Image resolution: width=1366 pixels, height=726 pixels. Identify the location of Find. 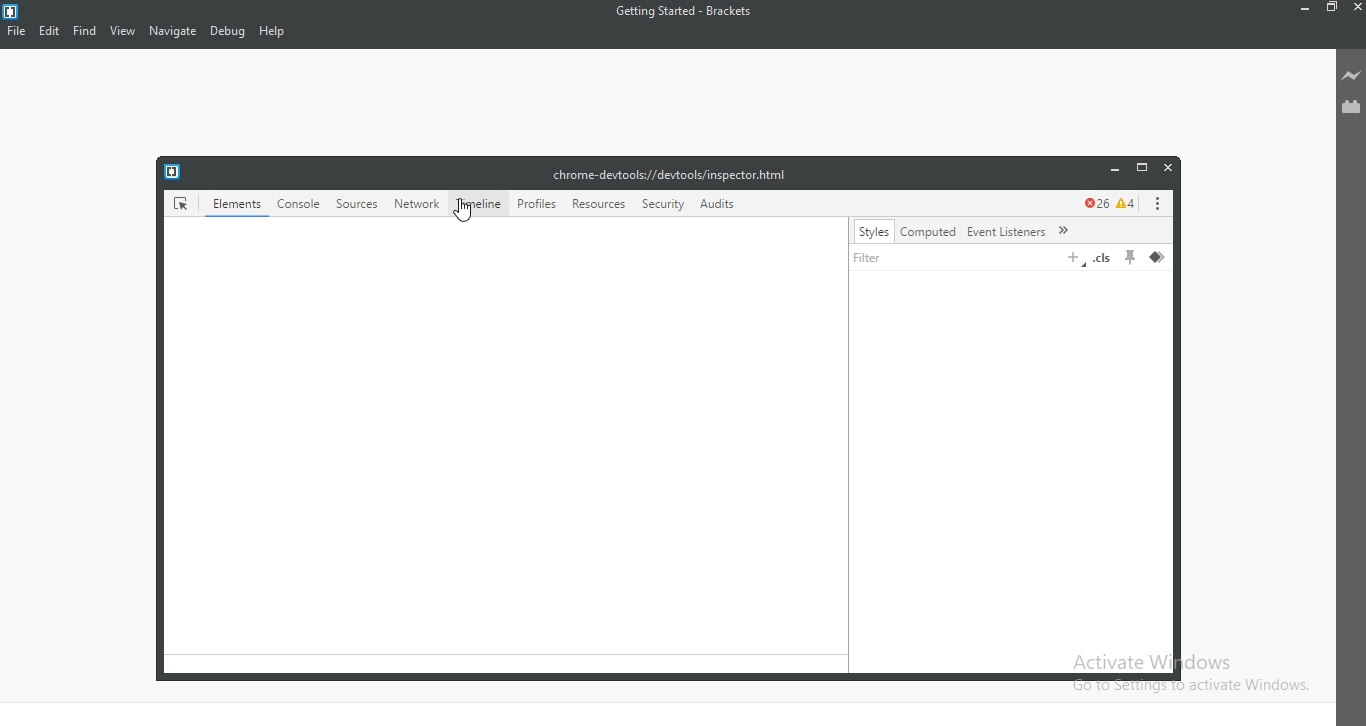
(86, 31).